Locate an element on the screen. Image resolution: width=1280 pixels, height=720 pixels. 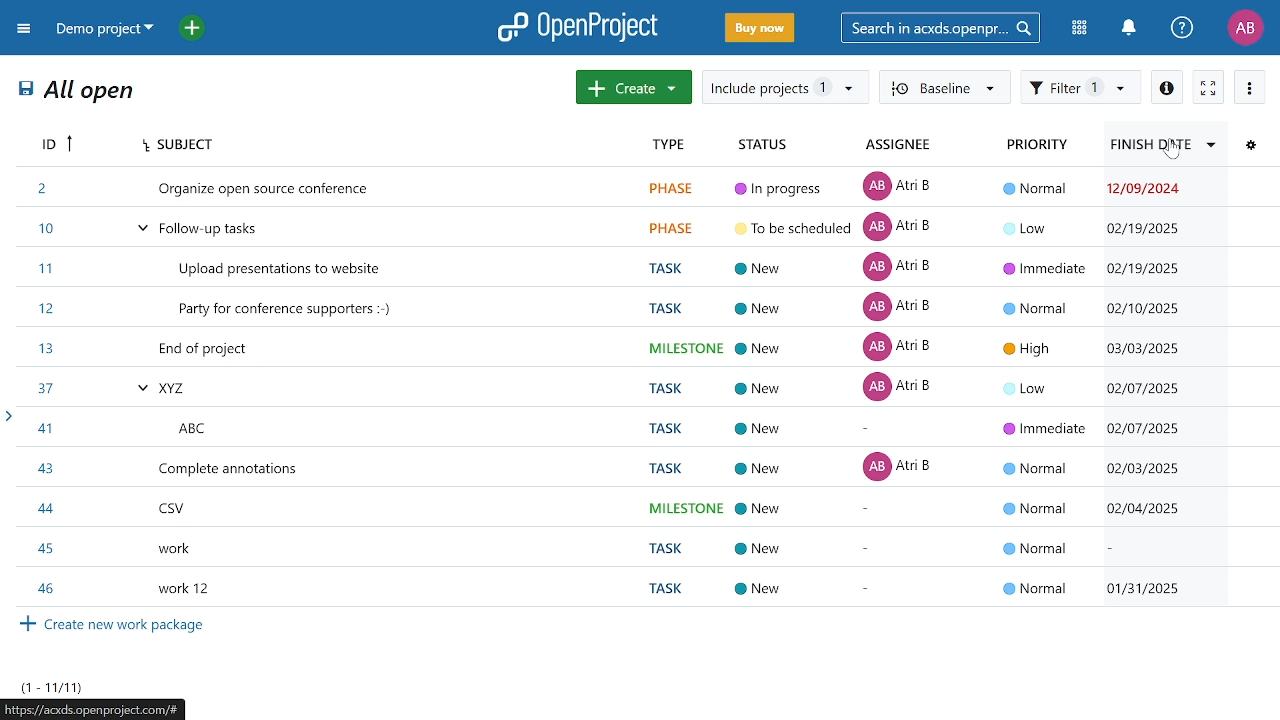
task titled "End of project" is located at coordinates (655, 347).